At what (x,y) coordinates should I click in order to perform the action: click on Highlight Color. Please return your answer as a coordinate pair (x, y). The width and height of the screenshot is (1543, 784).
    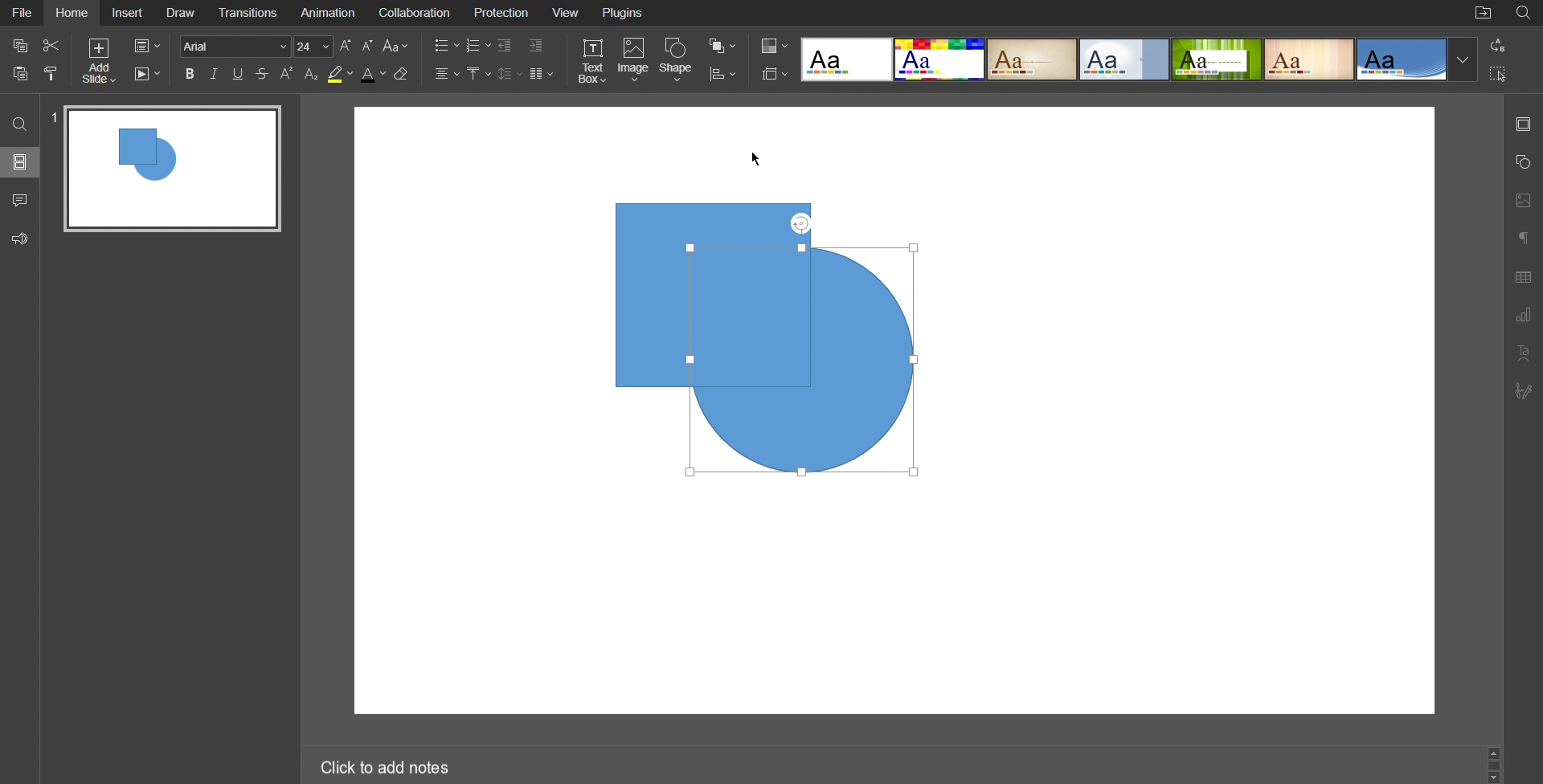
    Looking at the image, I should click on (341, 73).